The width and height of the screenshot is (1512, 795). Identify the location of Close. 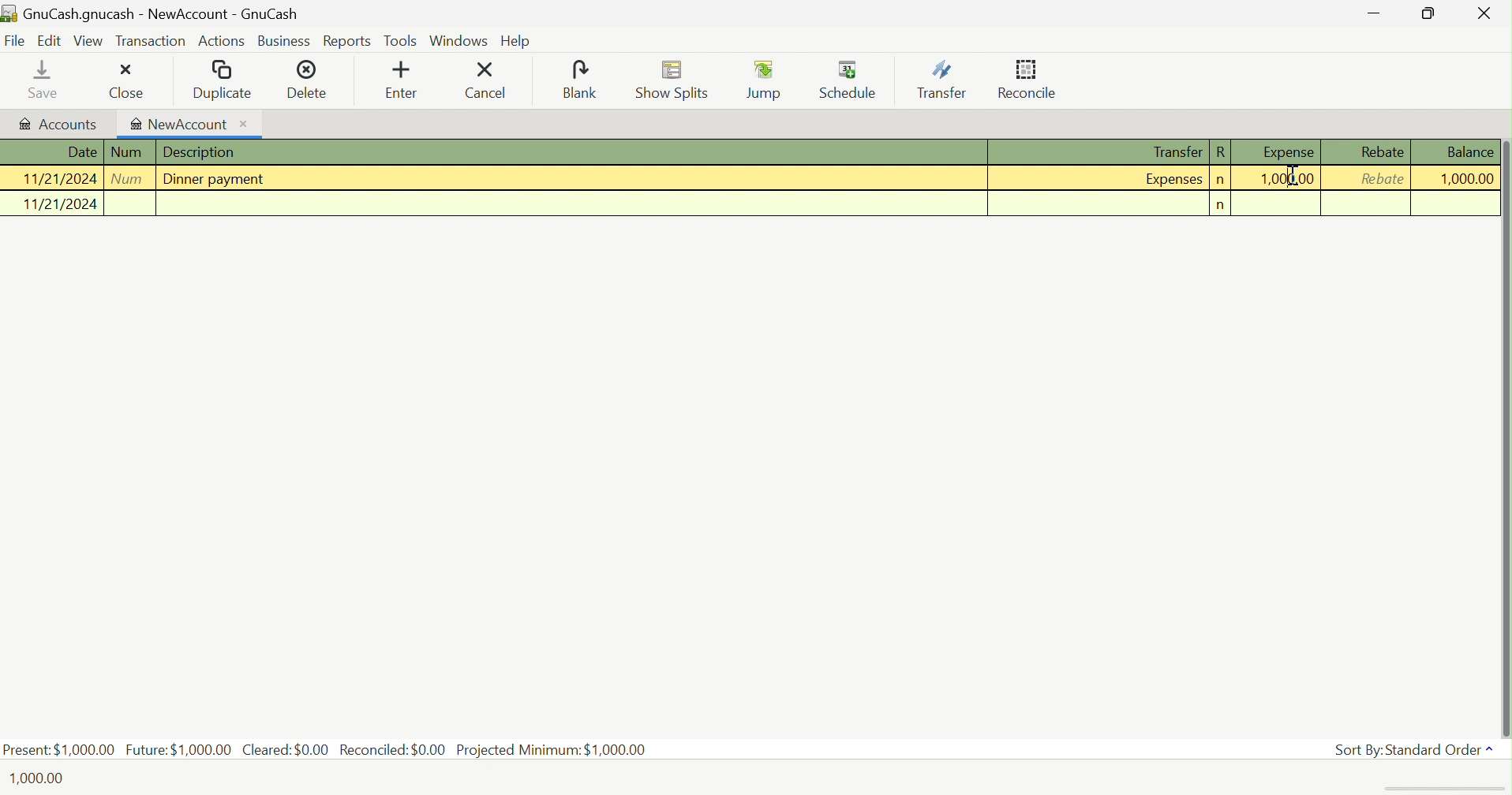
(1481, 13).